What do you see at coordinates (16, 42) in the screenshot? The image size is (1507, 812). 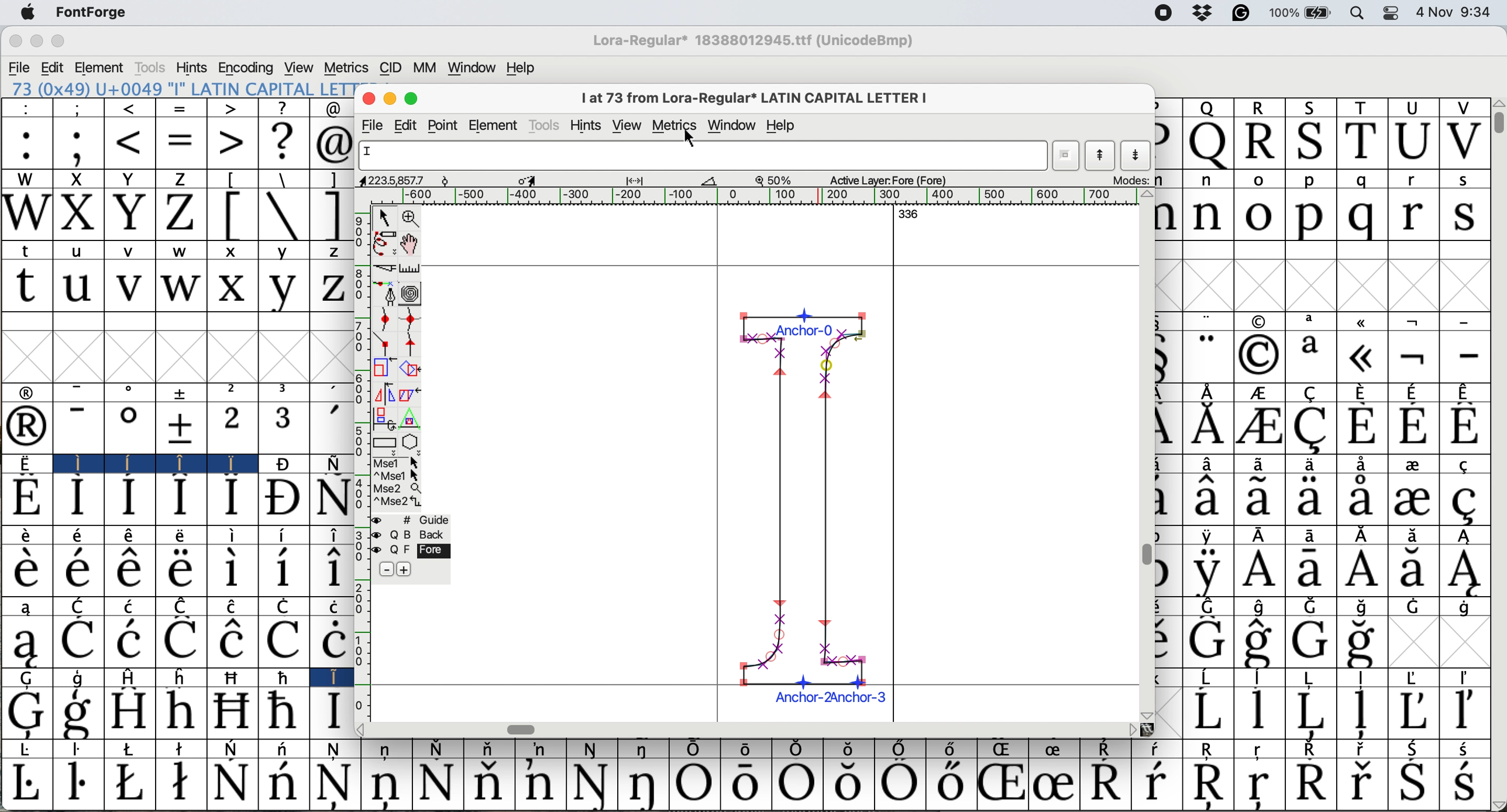 I see `close` at bounding box center [16, 42].